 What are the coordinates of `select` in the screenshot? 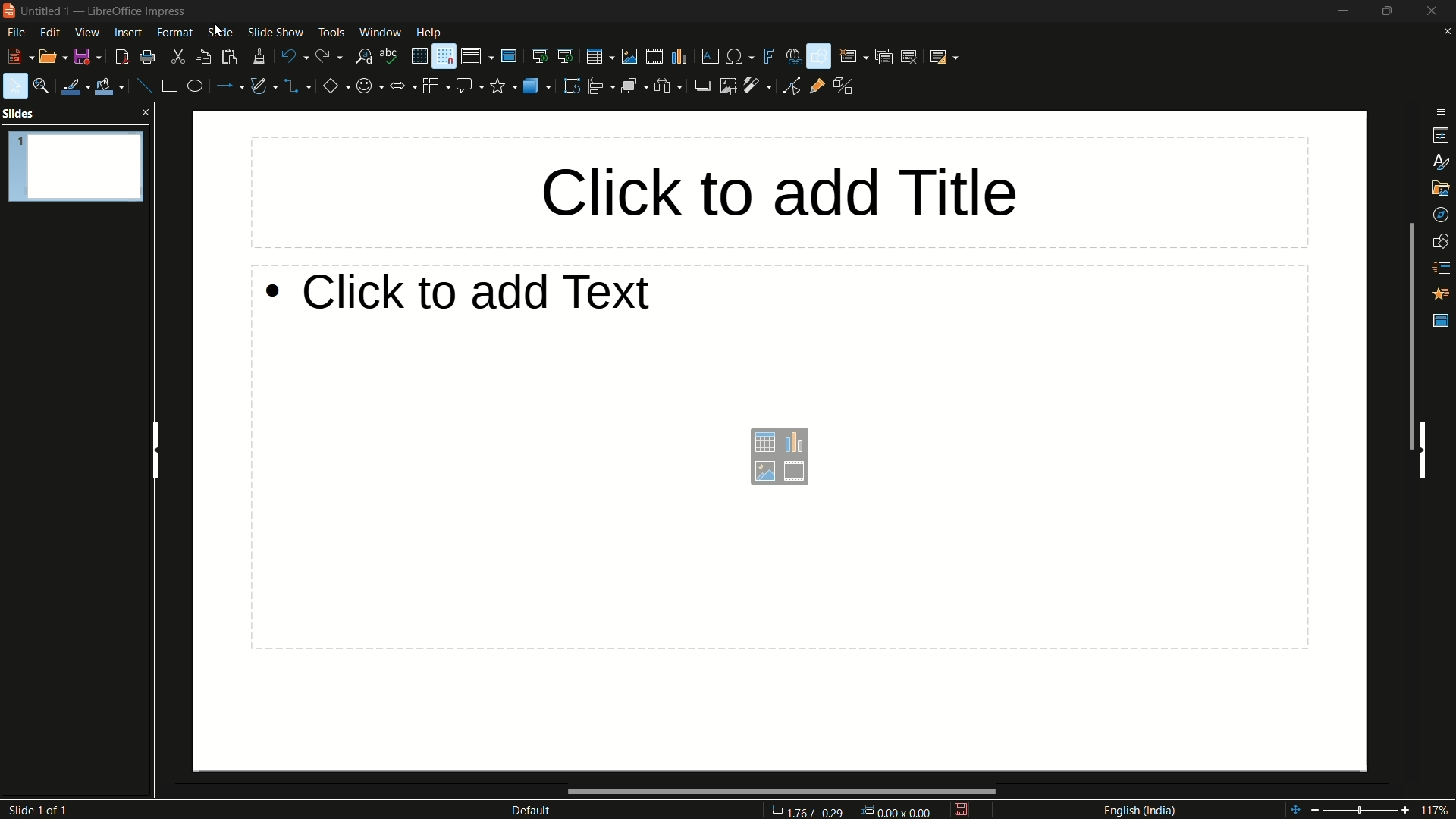 It's located at (14, 86).